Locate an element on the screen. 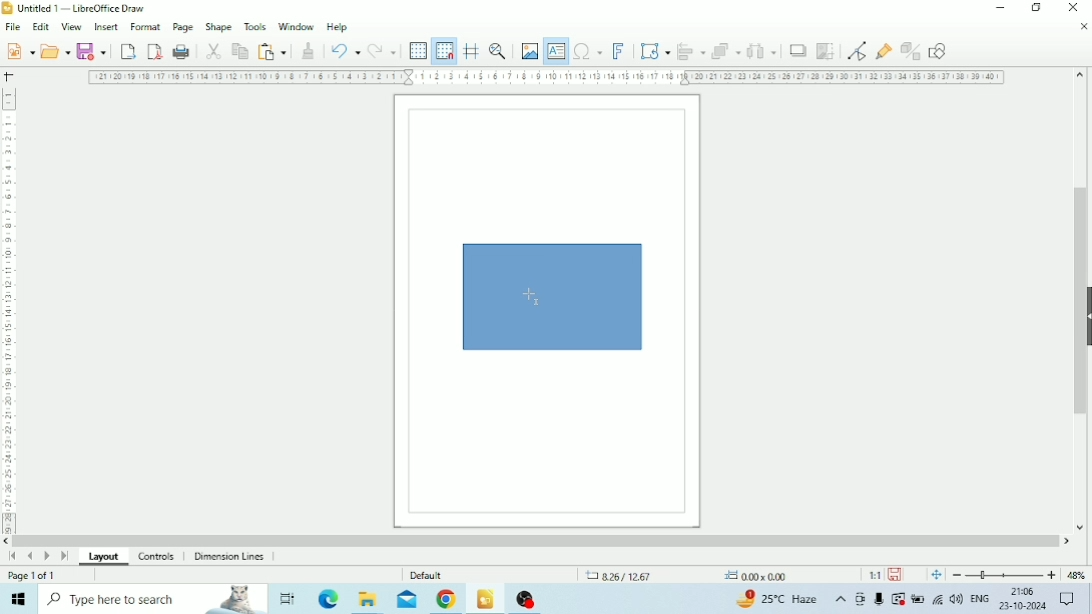  Task View is located at coordinates (286, 599).